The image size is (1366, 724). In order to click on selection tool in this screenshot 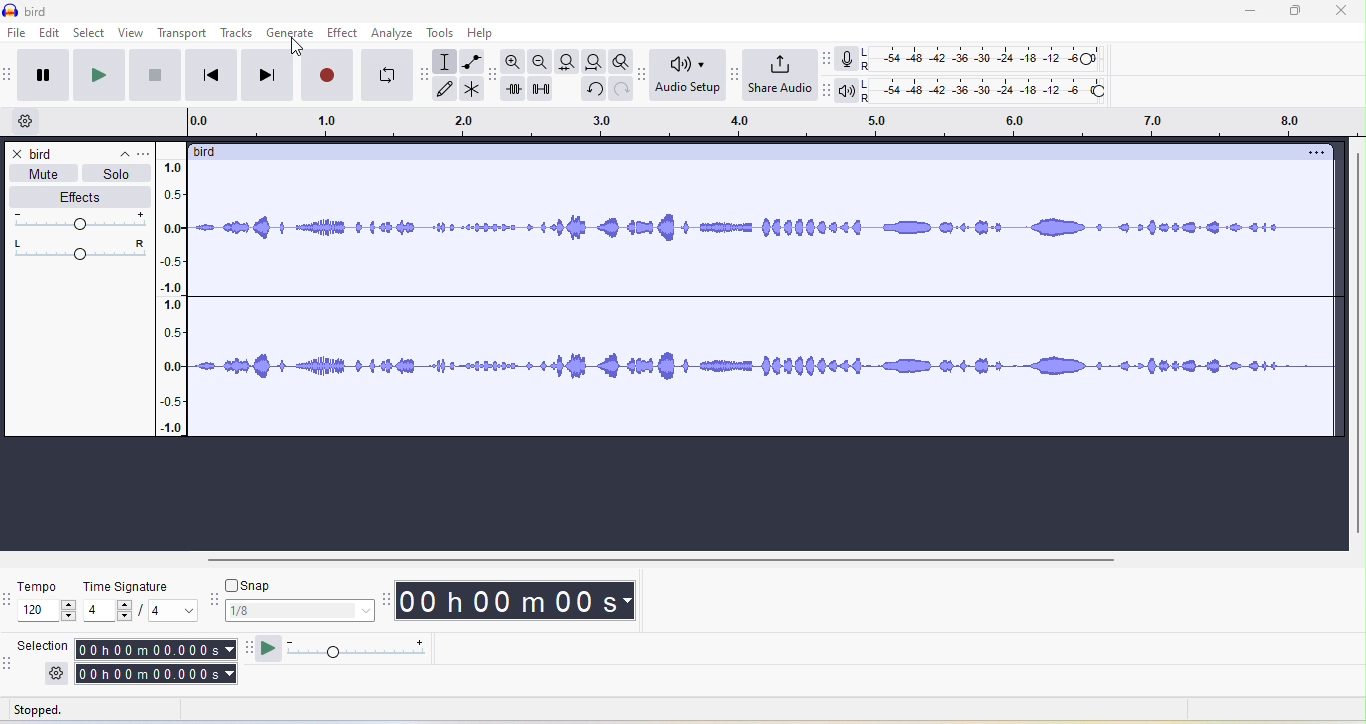, I will do `click(449, 59)`.